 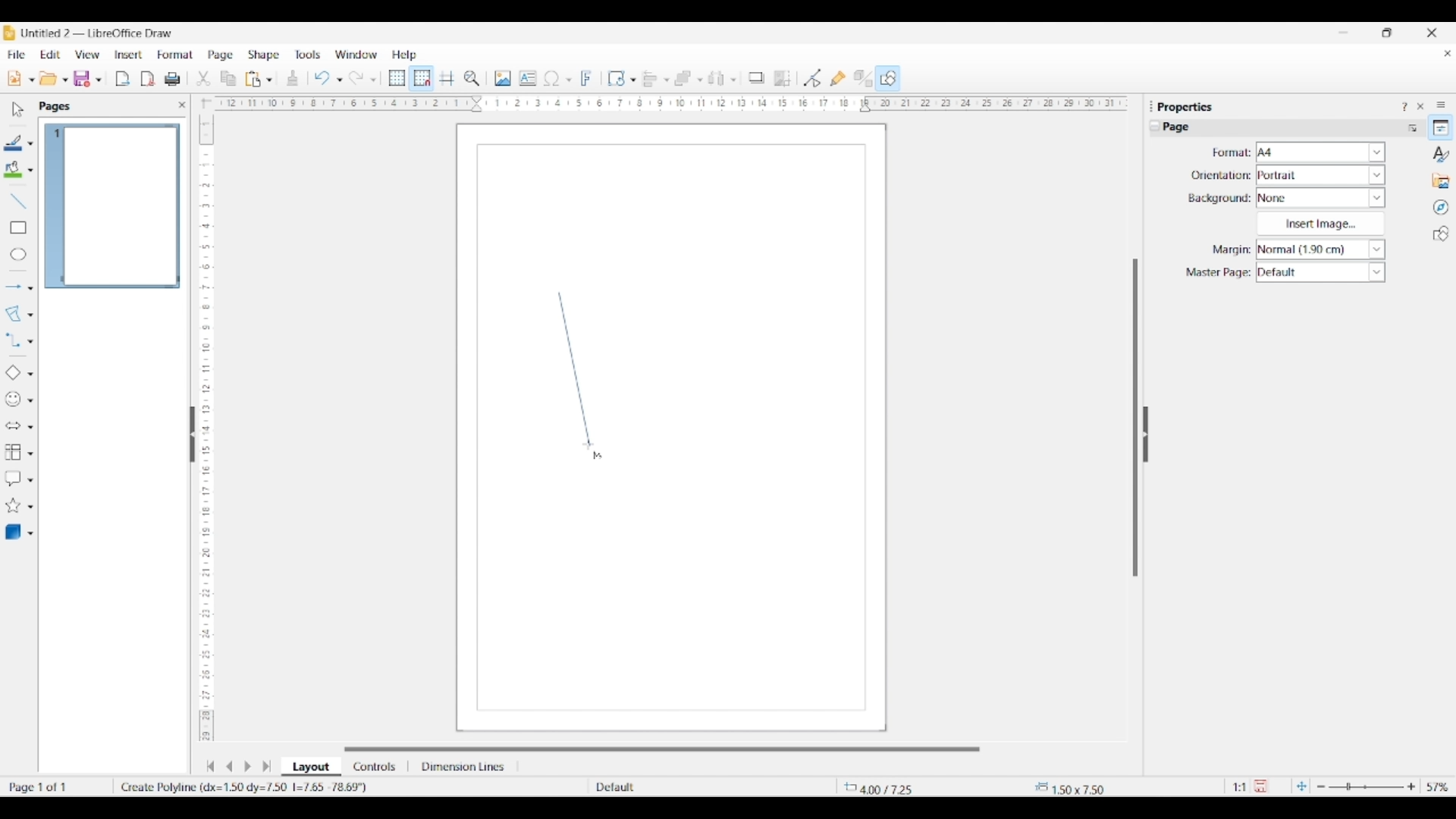 What do you see at coordinates (210, 766) in the screenshot?
I see `Jump to first slide` at bounding box center [210, 766].